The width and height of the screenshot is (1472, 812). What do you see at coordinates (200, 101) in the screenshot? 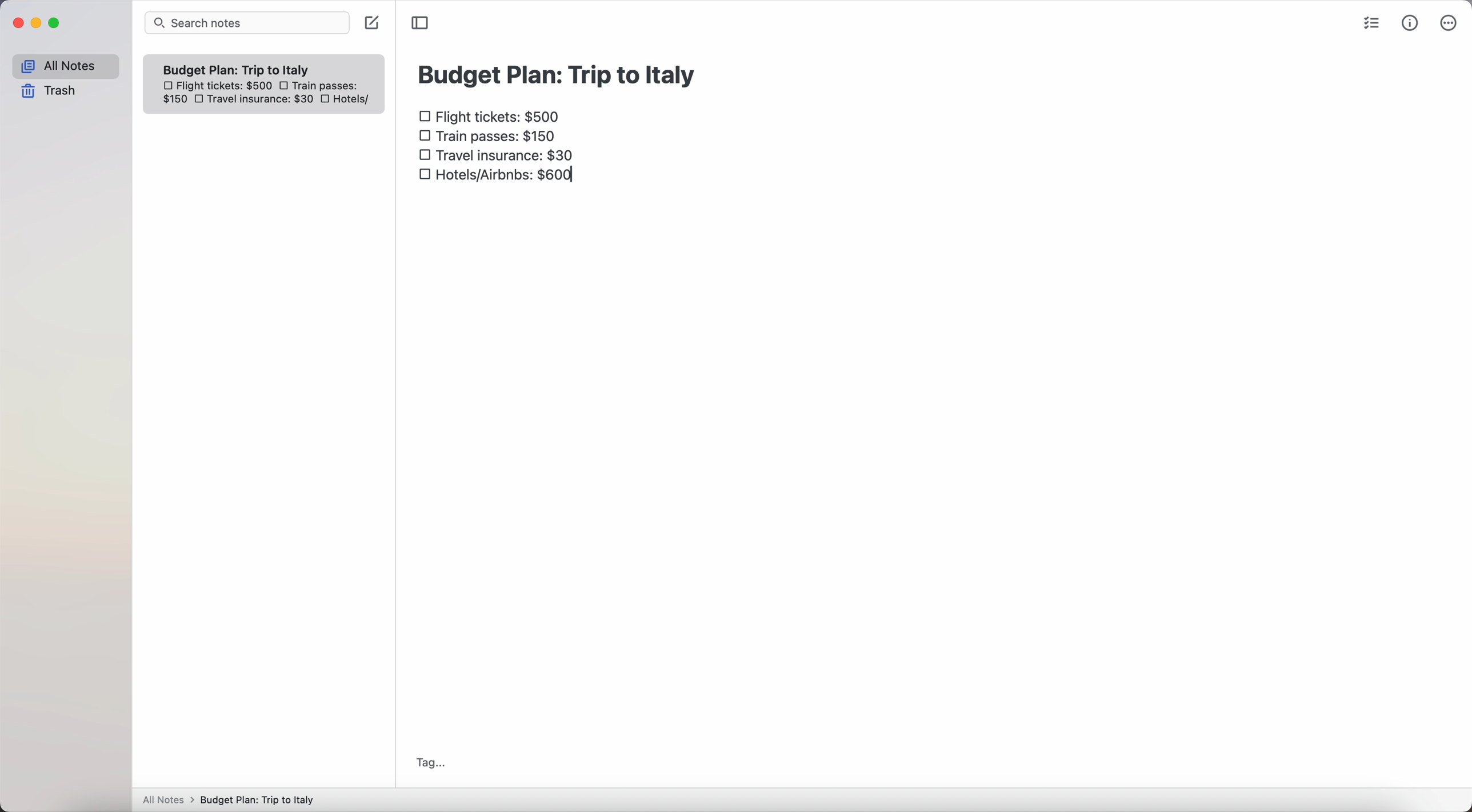
I see `checkbox` at bounding box center [200, 101].